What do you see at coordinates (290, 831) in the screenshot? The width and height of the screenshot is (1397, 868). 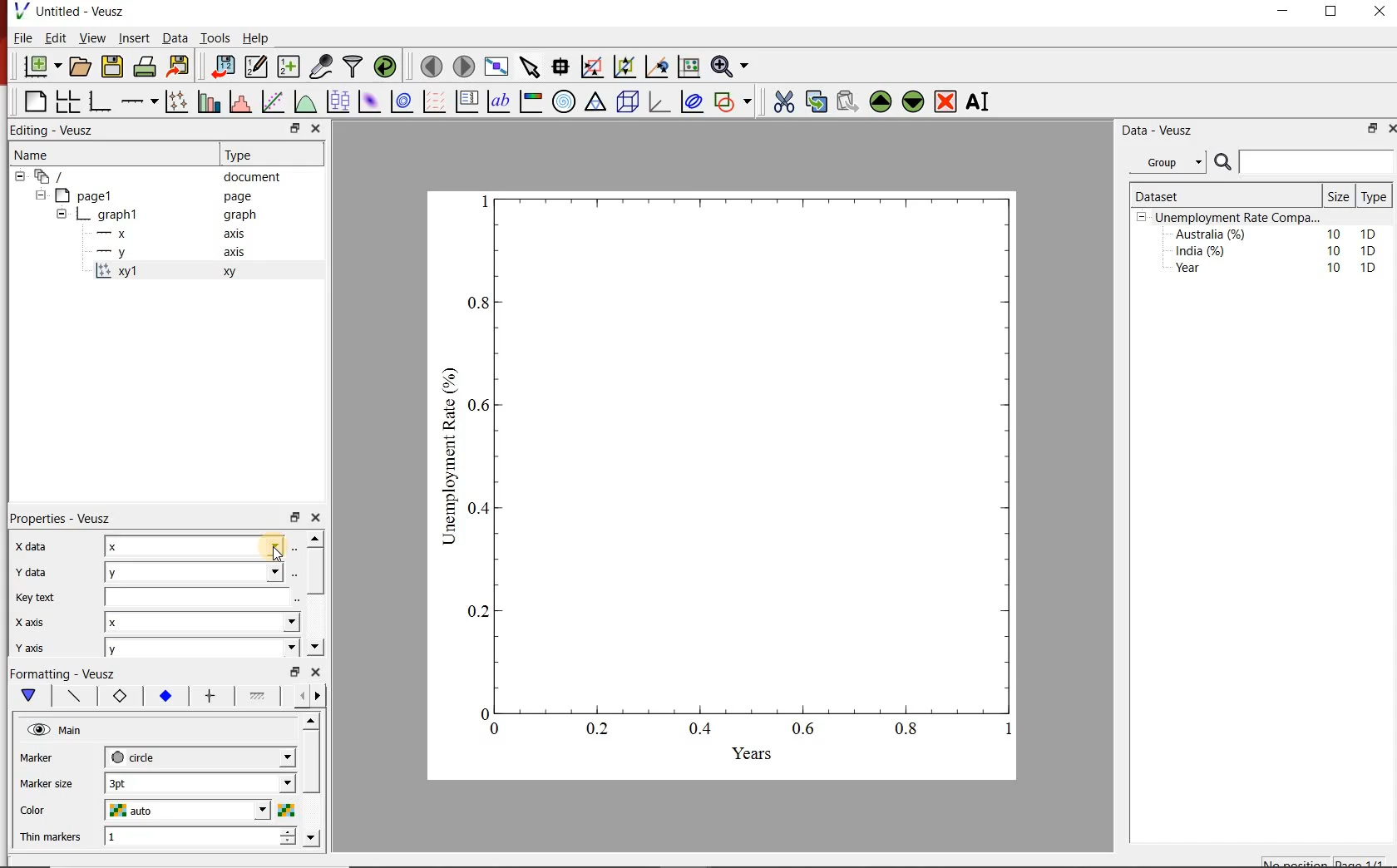 I see `increase` at bounding box center [290, 831].